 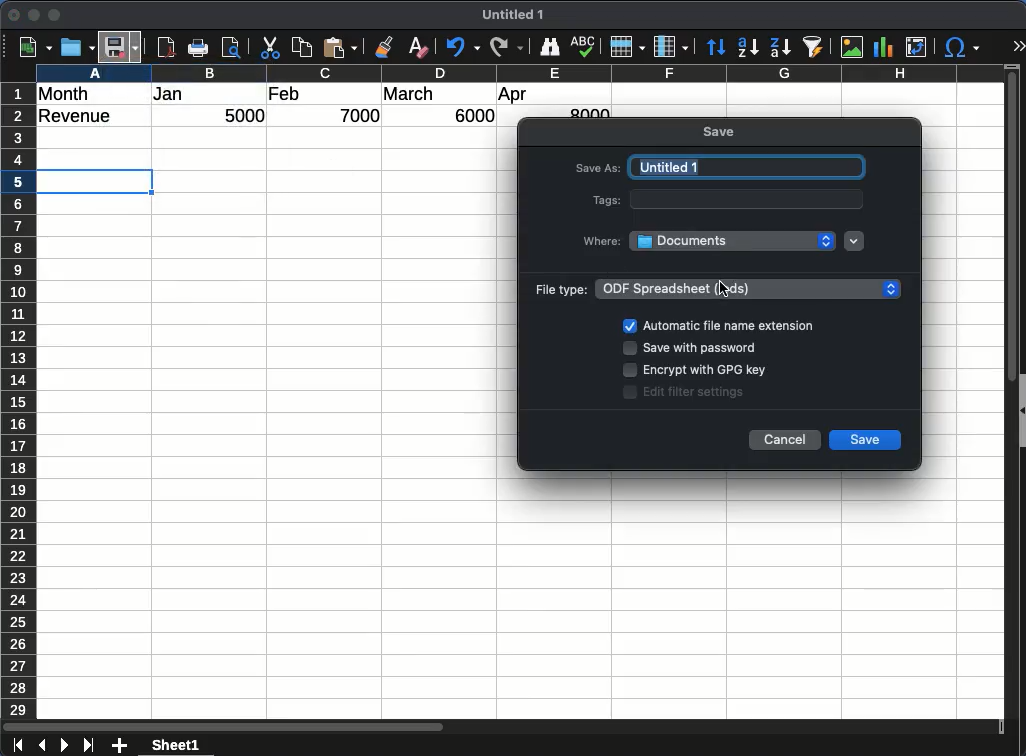 What do you see at coordinates (603, 200) in the screenshot?
I see `tags` at bounding box center [603, 200].